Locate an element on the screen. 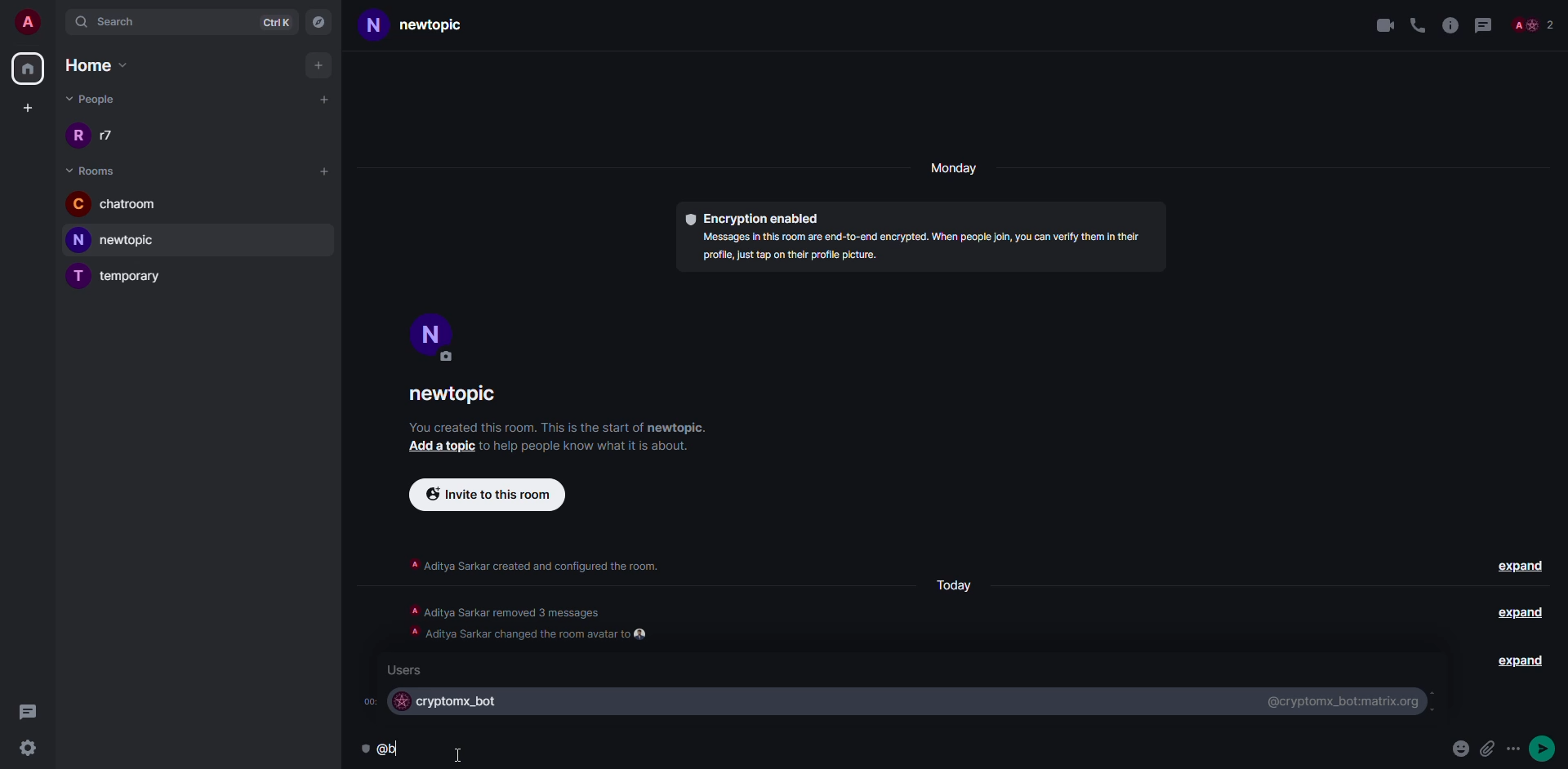  @cryptomx_bot:matrix.org is located at coordinates (1340, 700).